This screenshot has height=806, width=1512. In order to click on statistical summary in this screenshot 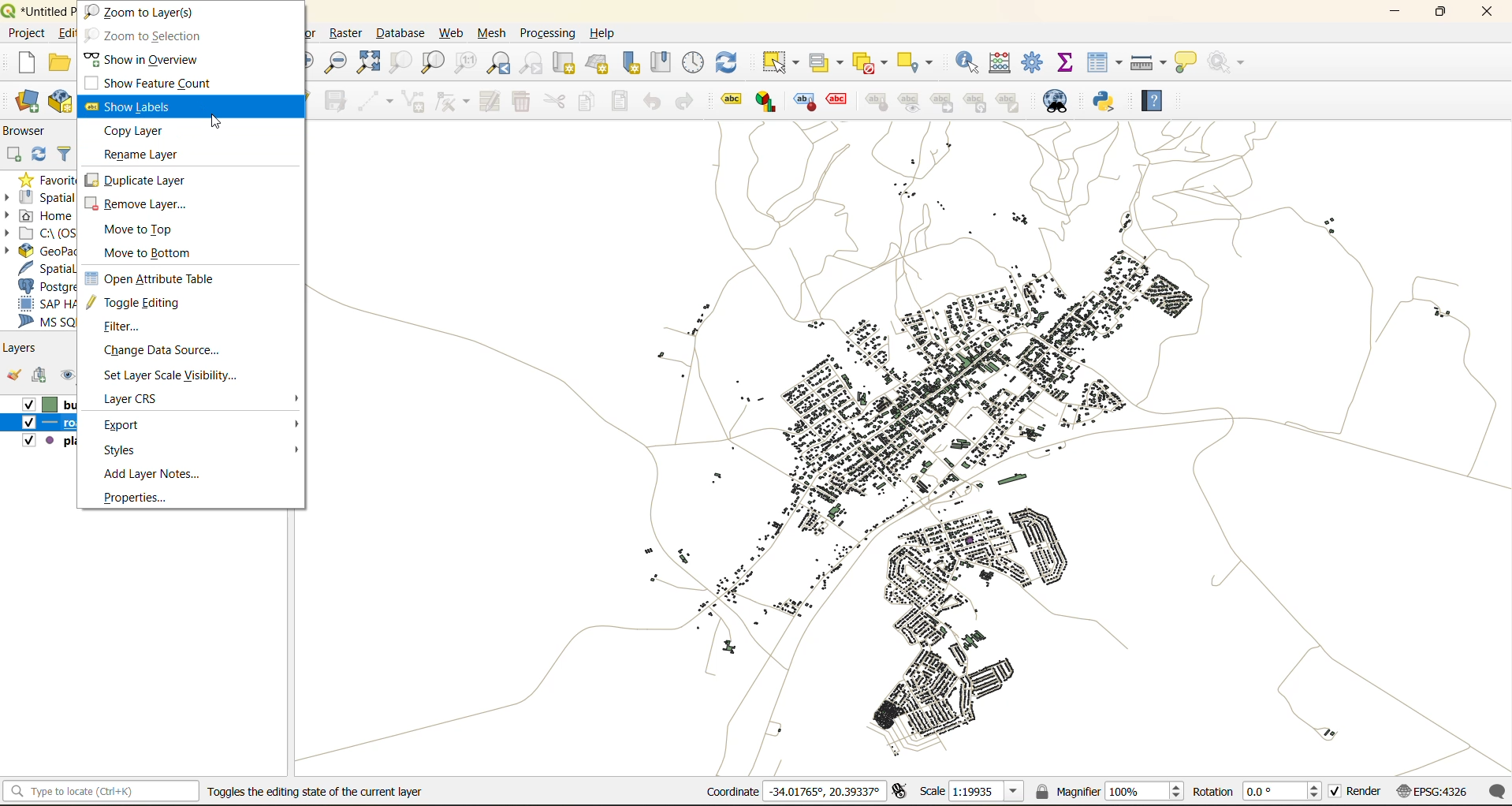, I will do `click(1067, 62)`.